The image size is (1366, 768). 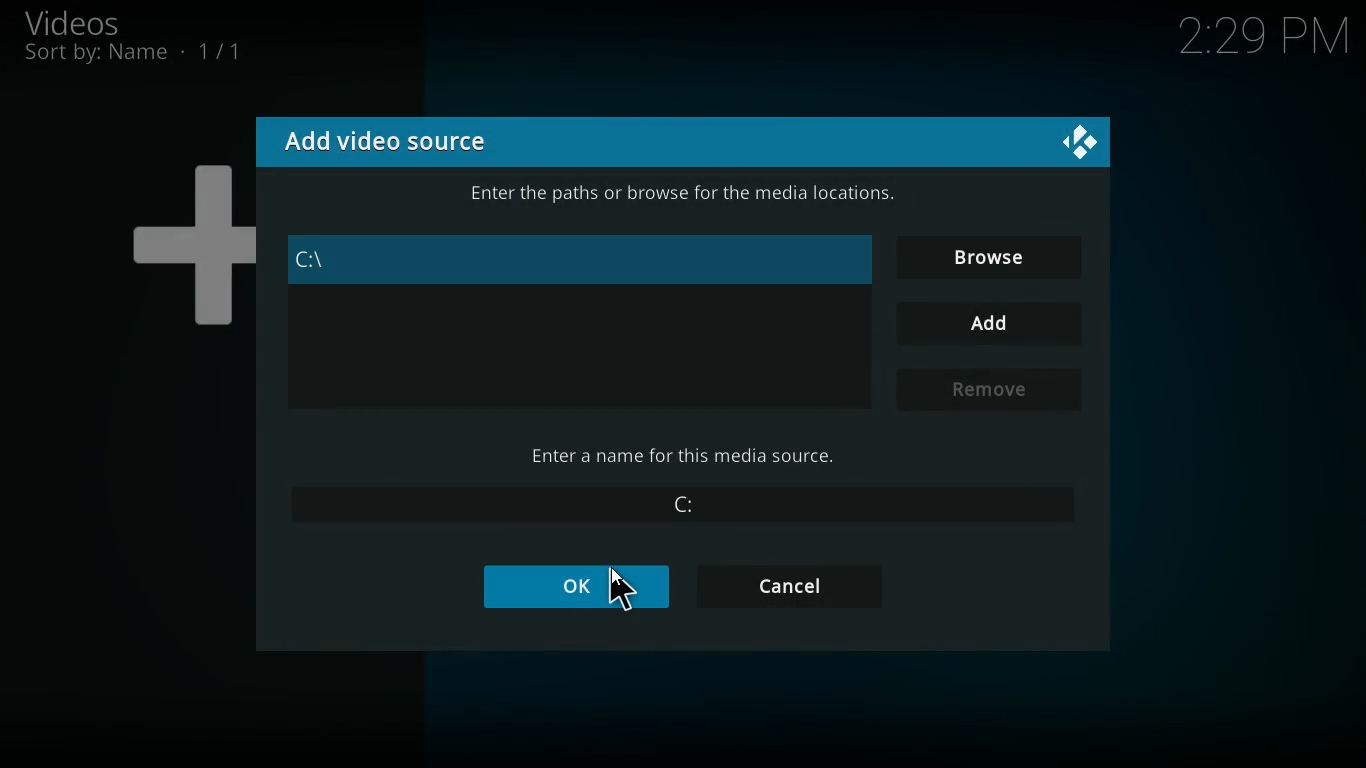 I want to click on Enter the paths or browse for the media locations., so click(x=687, y=196).